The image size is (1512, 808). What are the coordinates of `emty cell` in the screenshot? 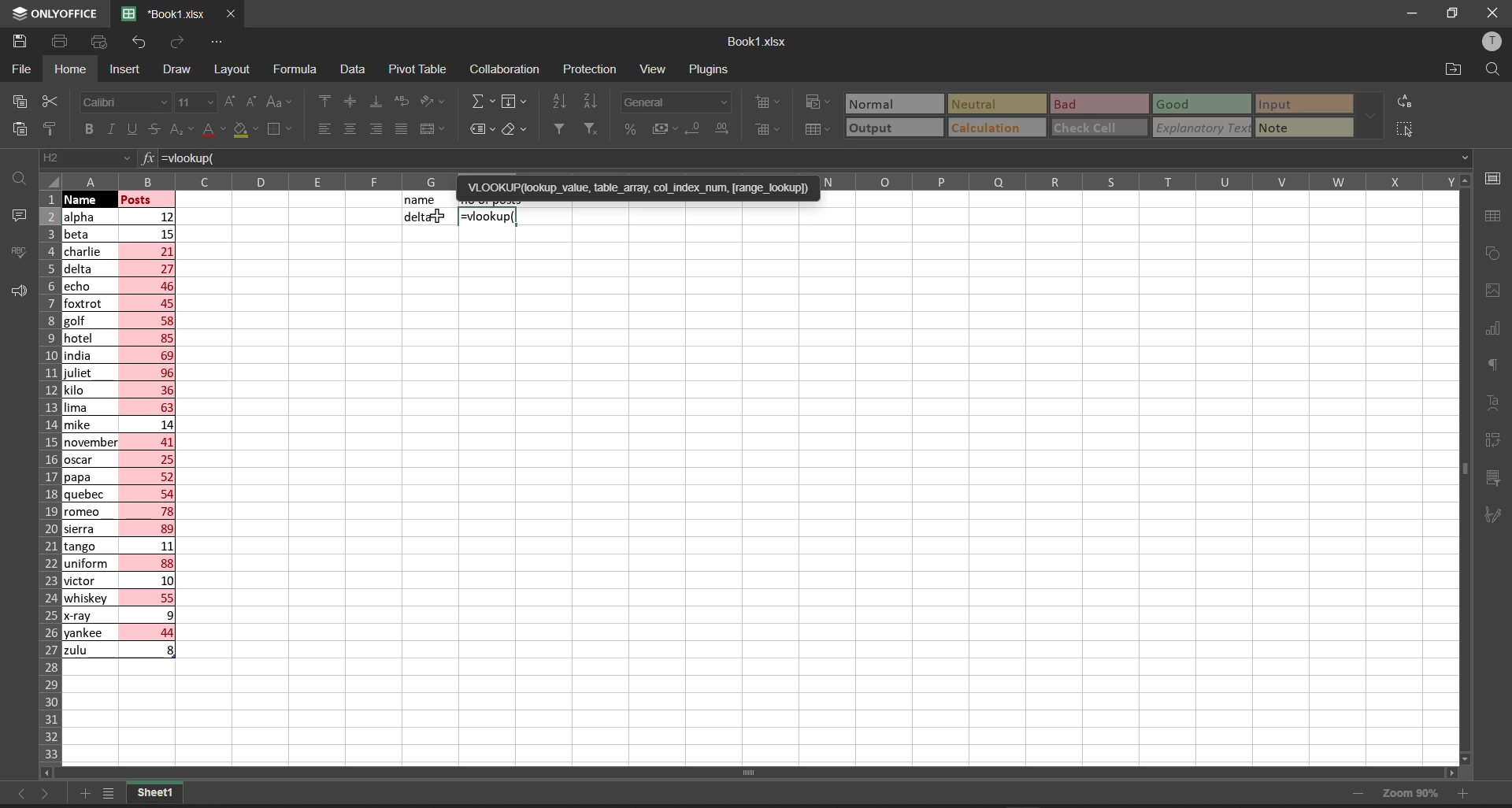 It's located at (813, 500).